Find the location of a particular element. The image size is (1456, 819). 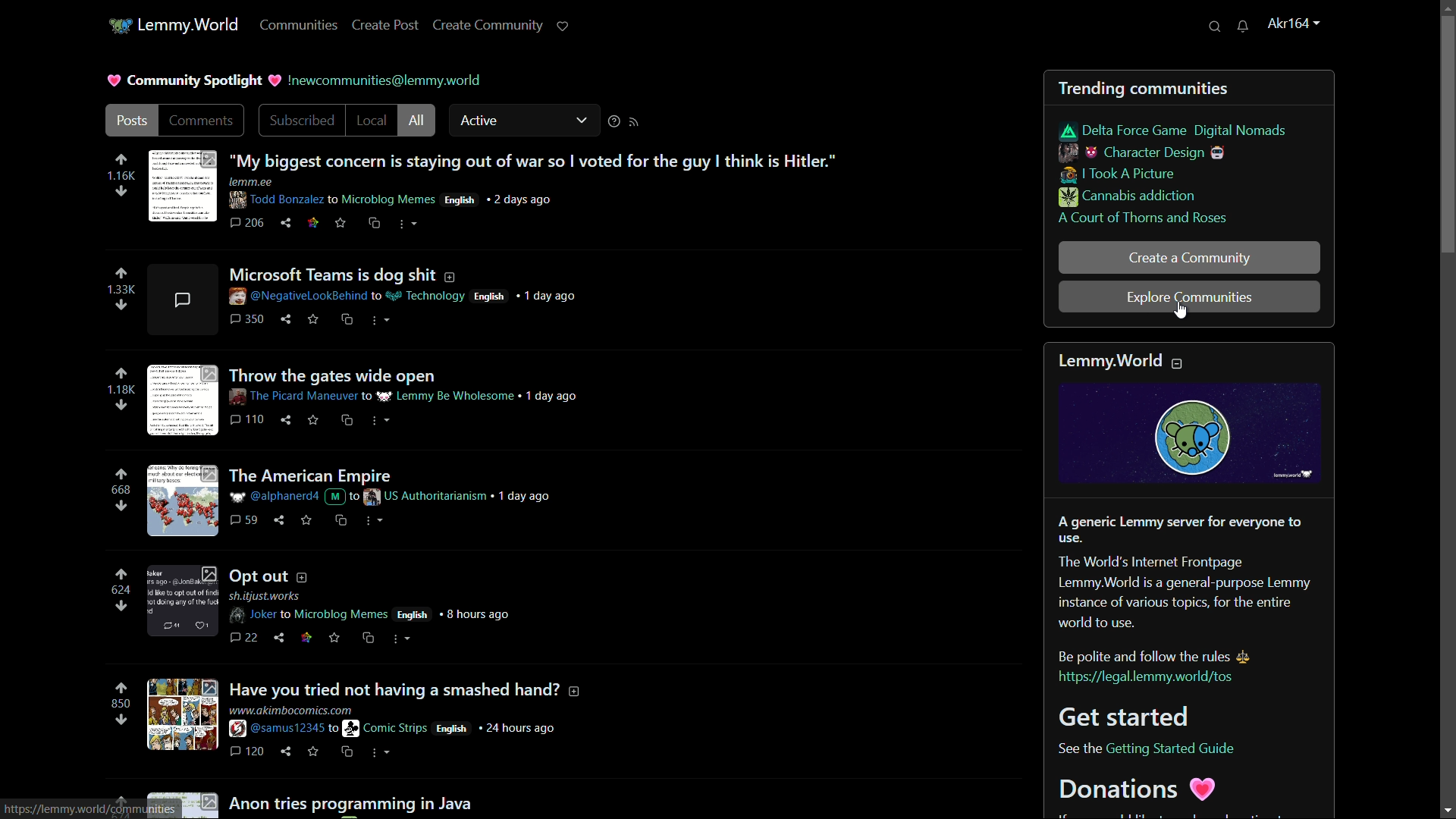

image is located at coordinates (182, 714).